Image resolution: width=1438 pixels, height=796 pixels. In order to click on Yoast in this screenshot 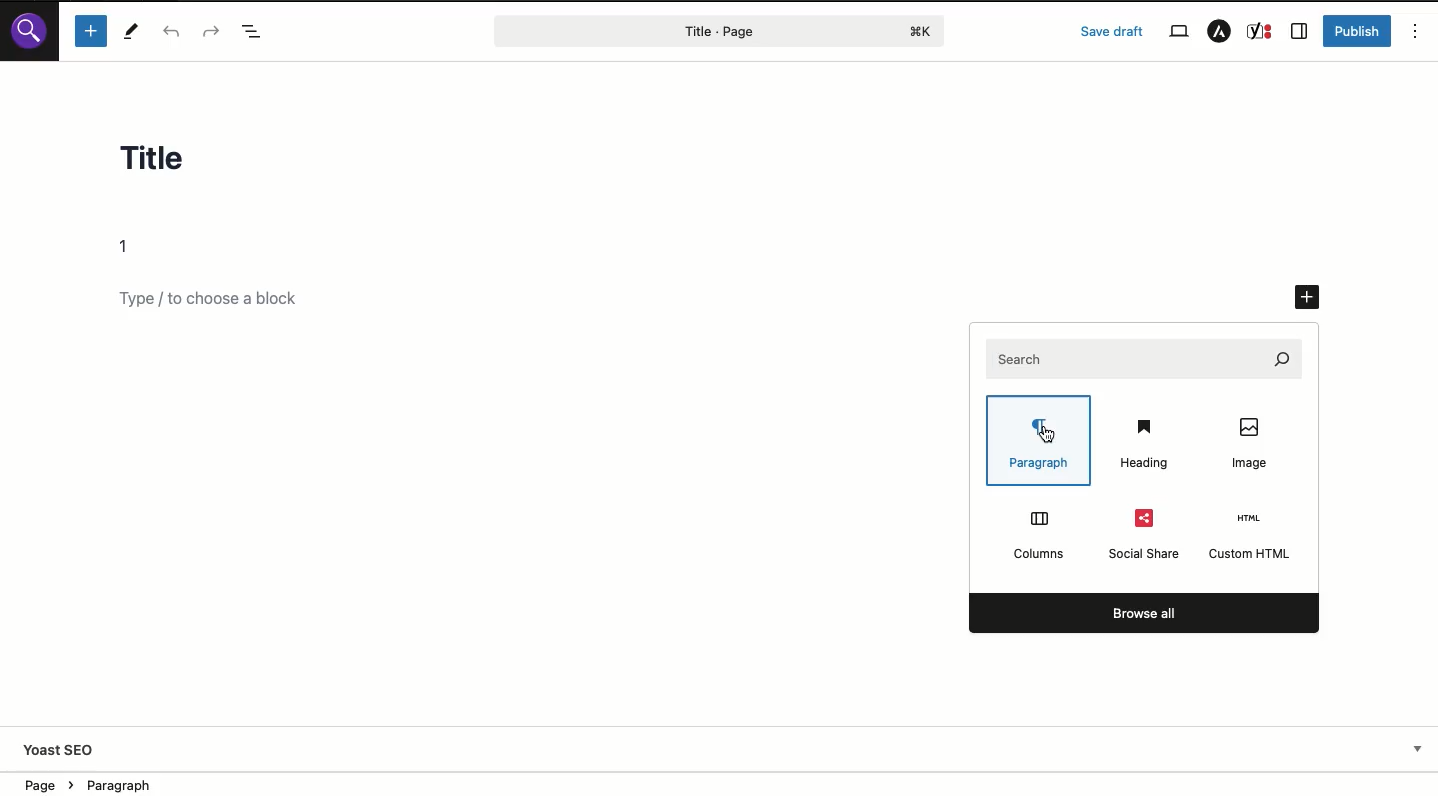, I will do `click(1261, 32)`.